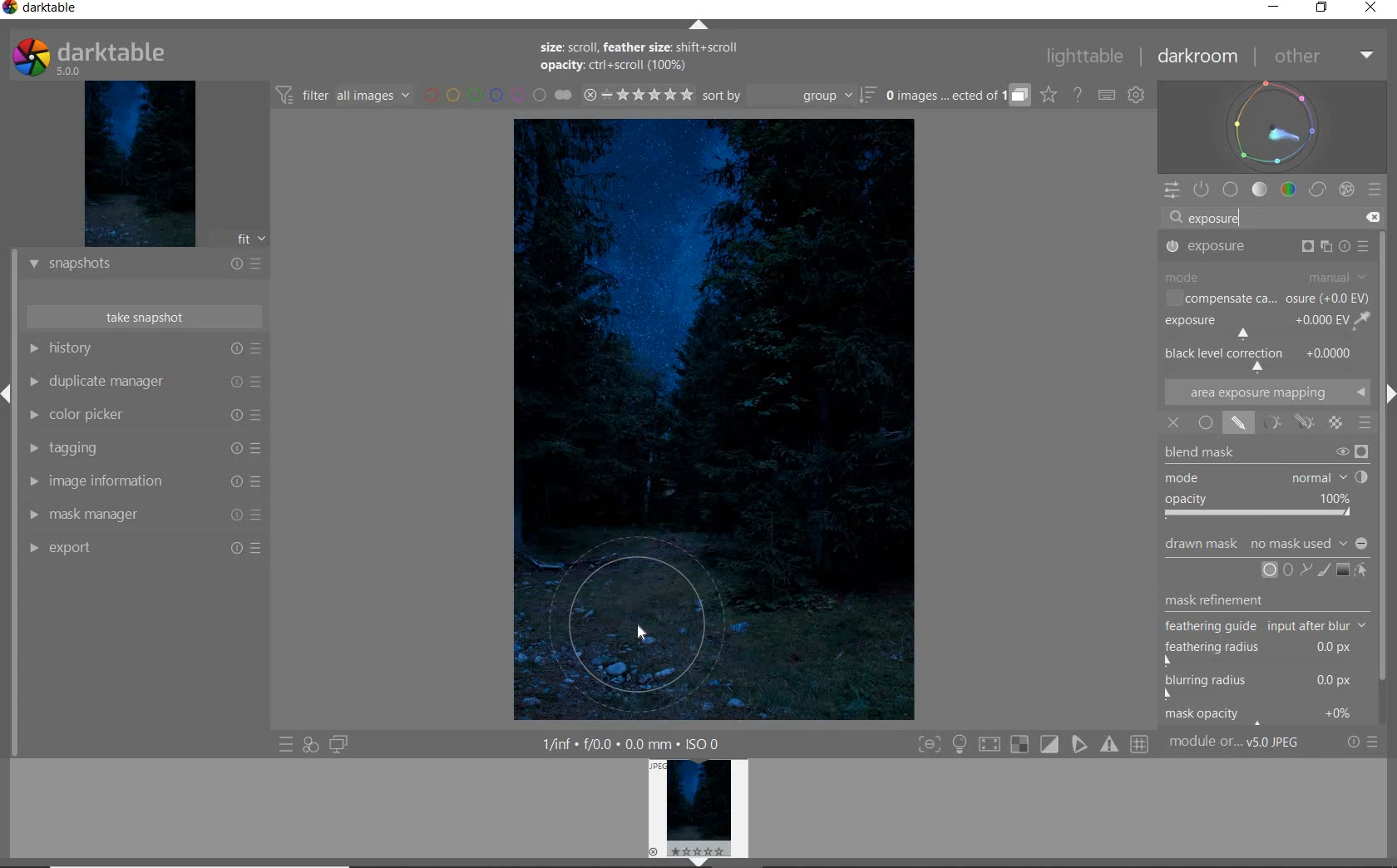 This screenshot has height=868, width=1397. What do you see at coordinates (1259, 190) in the screenshot?
I see `TONE` at bounding box center [1259, 190].